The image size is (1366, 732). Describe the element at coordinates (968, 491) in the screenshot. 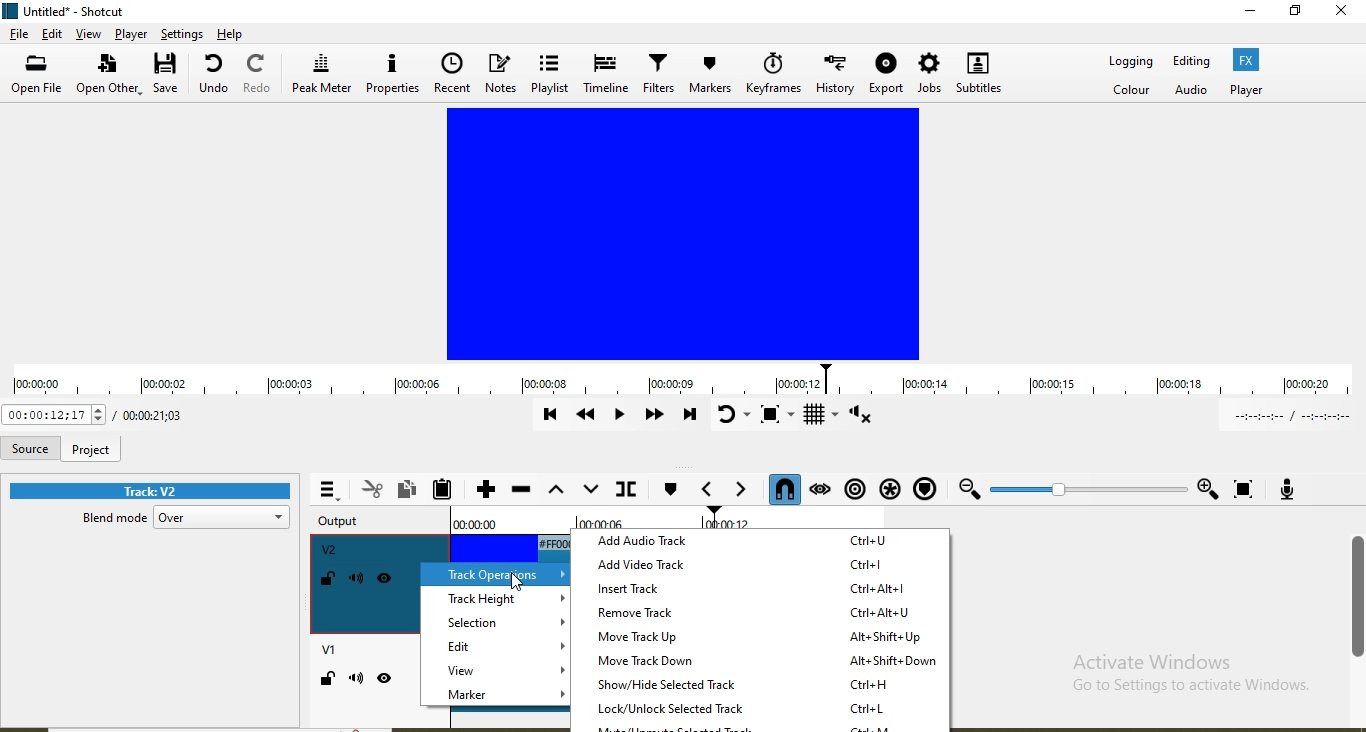

I see `Zoom out` at that location.